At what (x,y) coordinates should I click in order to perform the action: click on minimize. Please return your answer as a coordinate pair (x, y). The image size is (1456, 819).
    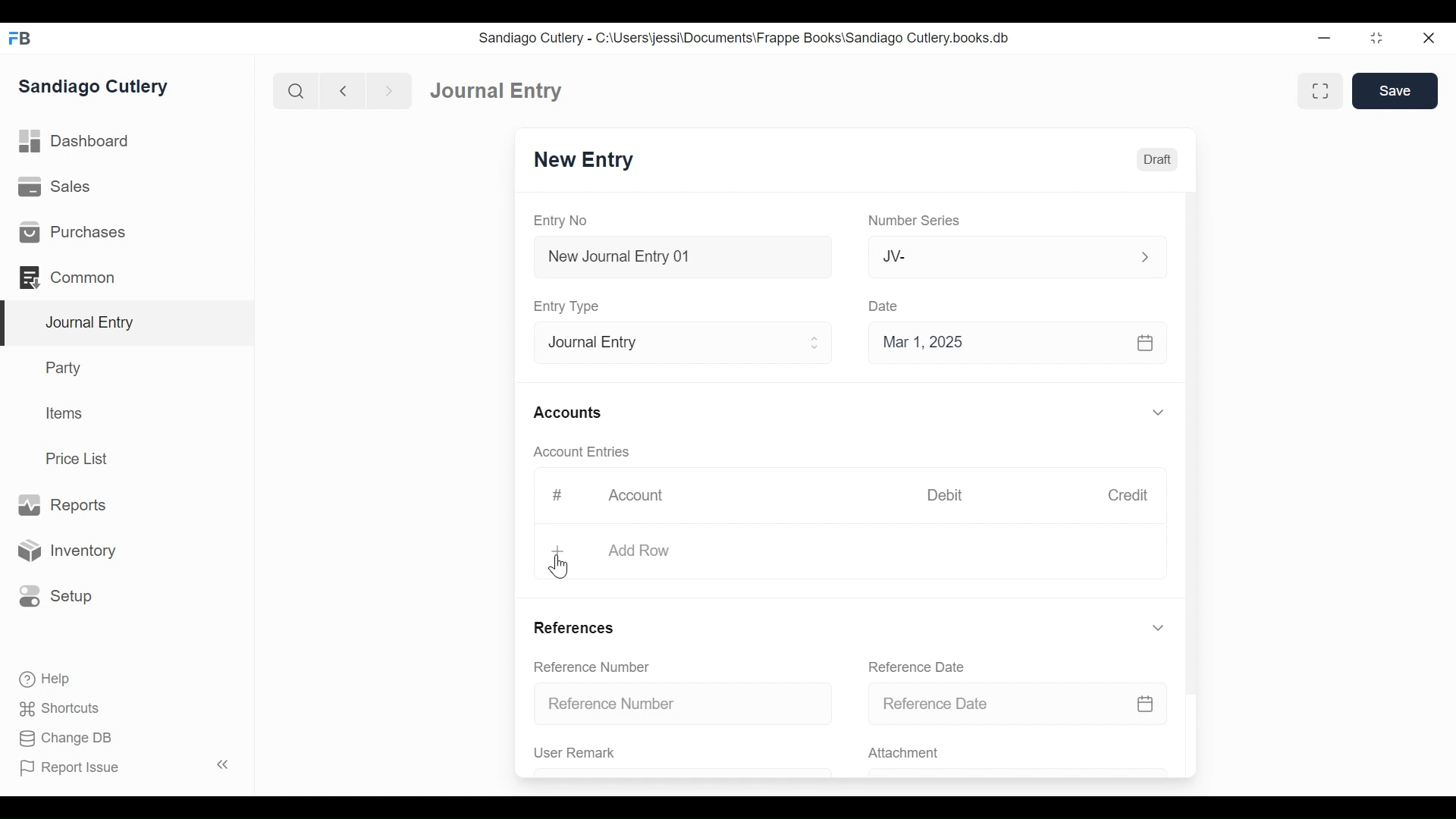
    Looking at the image, I should click on (1326, 35).